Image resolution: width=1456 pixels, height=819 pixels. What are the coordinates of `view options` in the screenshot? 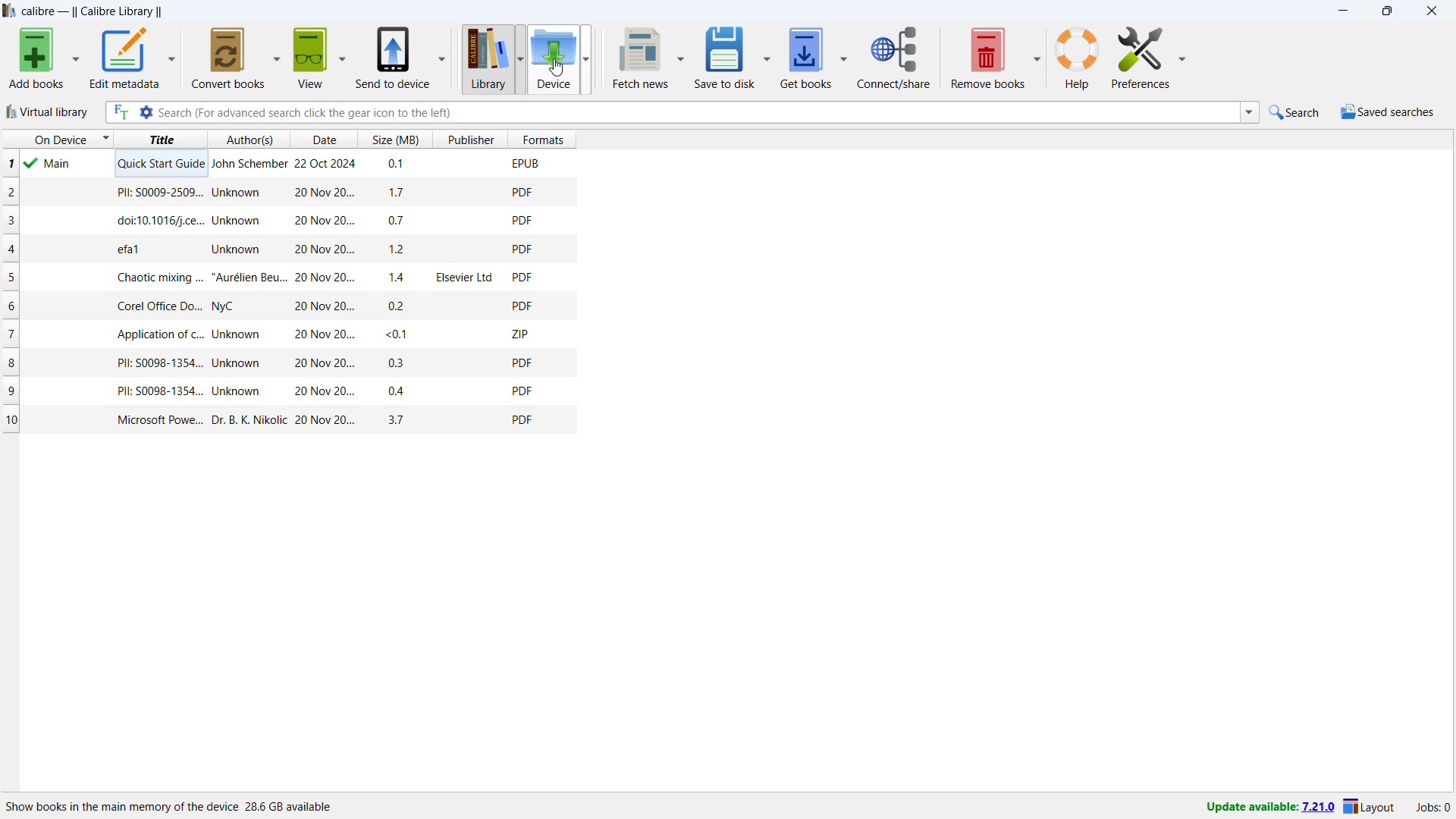 It's located at (341, 55).